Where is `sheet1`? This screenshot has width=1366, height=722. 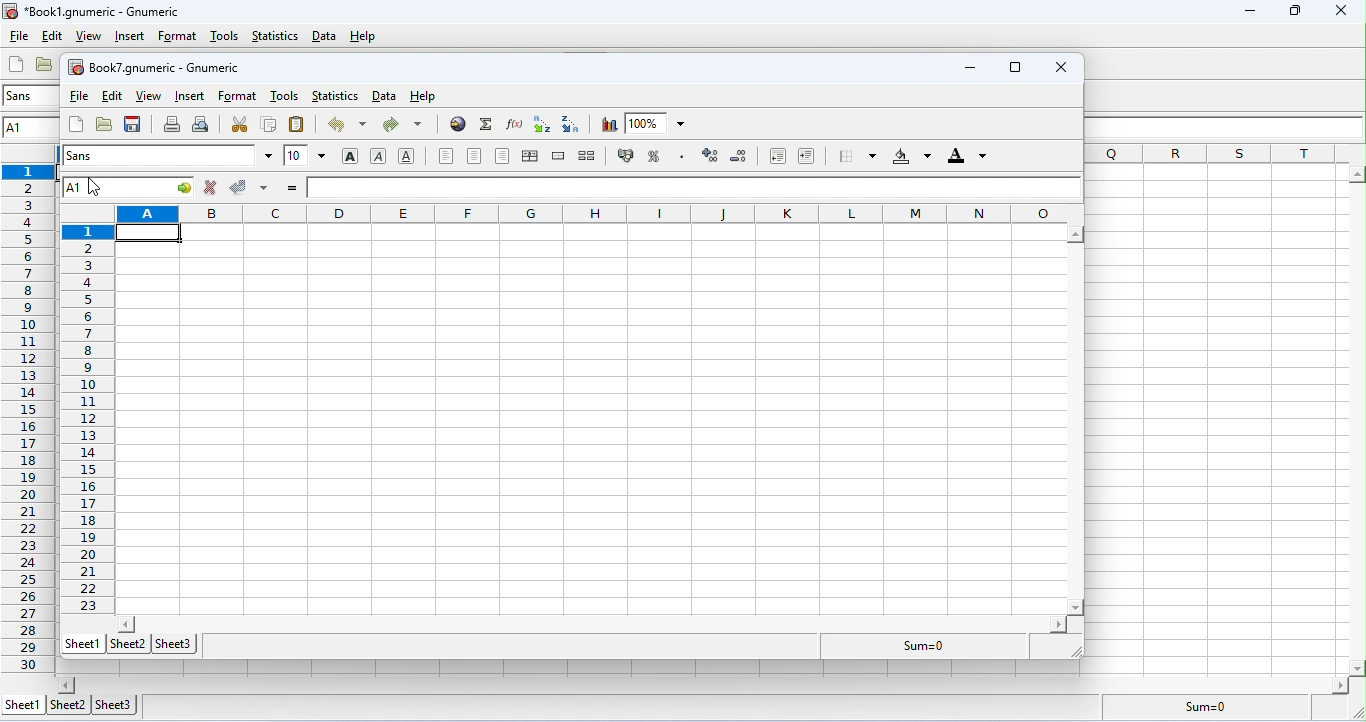 sheet1 is located at coordinates (23, 703).